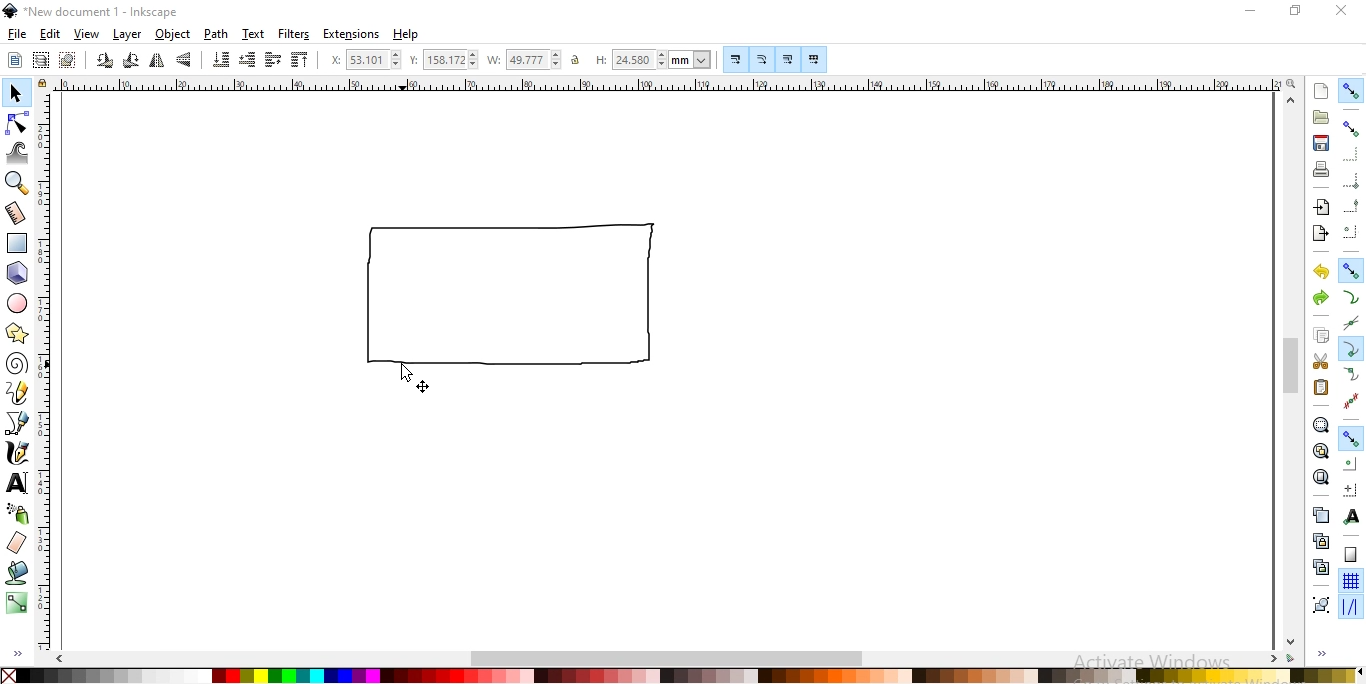  Describe the element at coordinates (41, 62) in the screenshot. I see `select in all visible objects  and layers` at that location.